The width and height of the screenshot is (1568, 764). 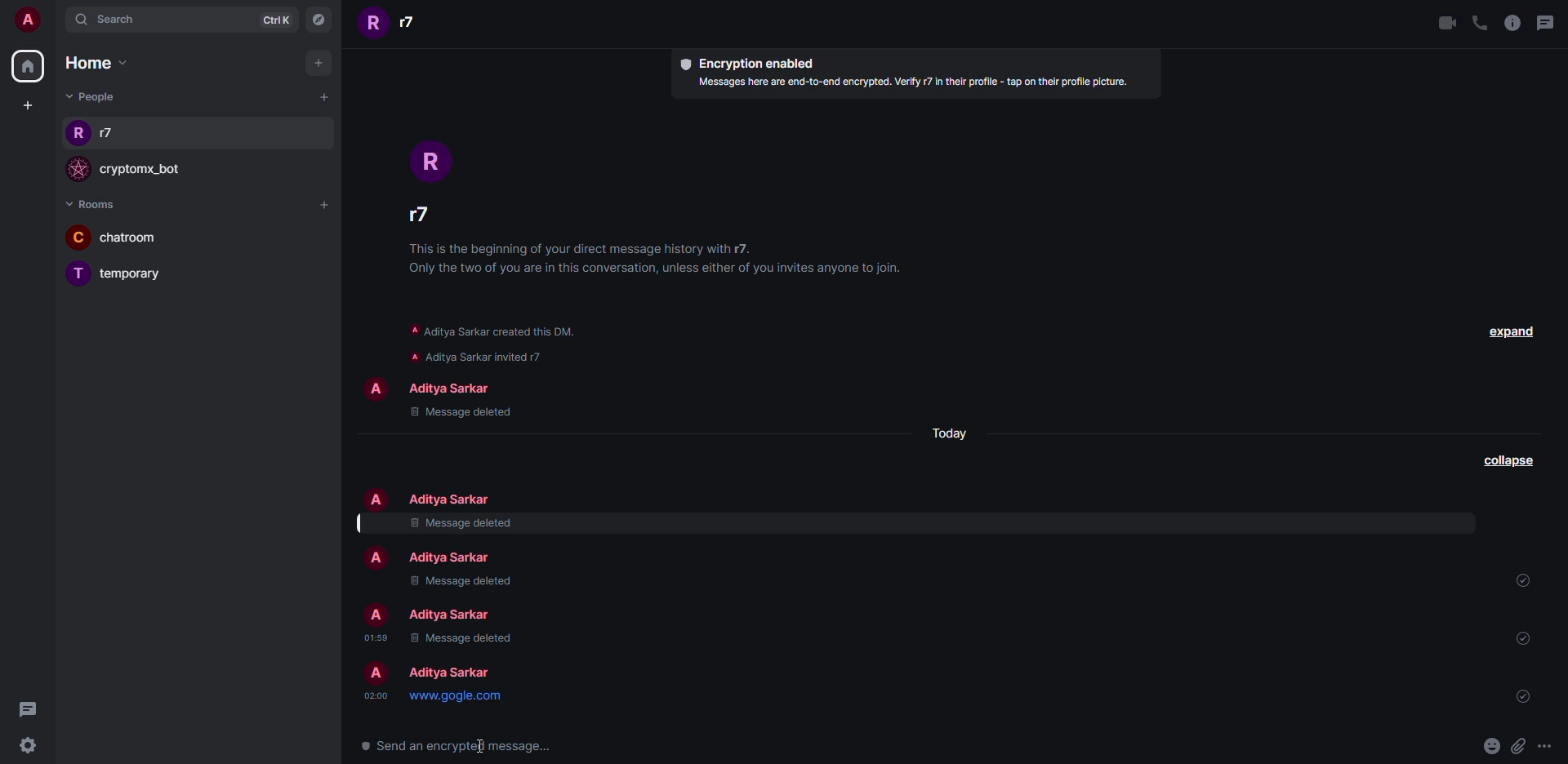 What do you see at coordinates (1525, 583) in the screenshot?
I see `sent` at bounding box center [1525, 583].